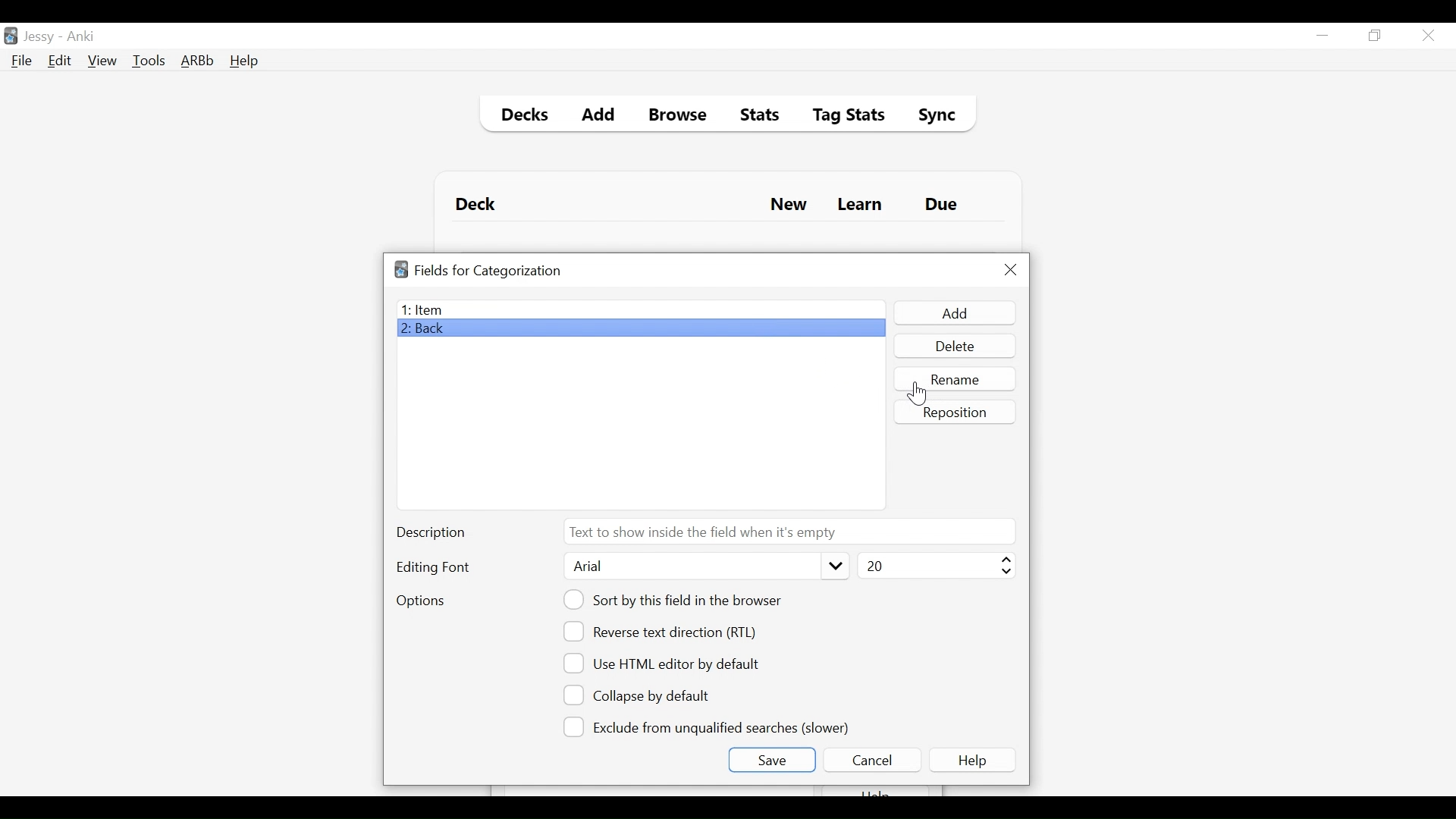 This screenshot has width=1456, height=819. What do you see at coordinates (1428, 36) in the screenshot?
I see `Close` at bounding box center [1428, 36].